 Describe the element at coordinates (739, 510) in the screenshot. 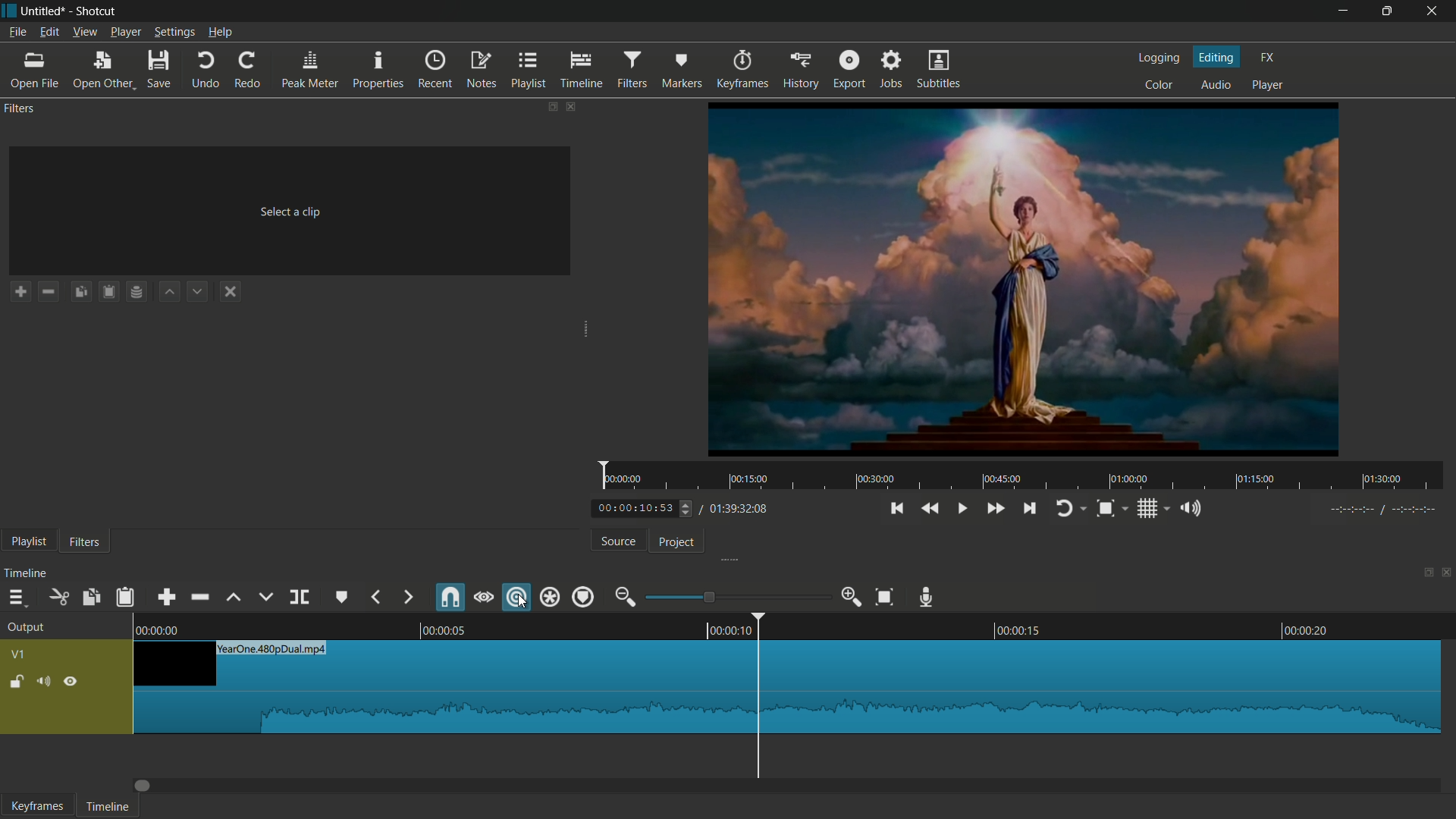

I see `total time` at that location.